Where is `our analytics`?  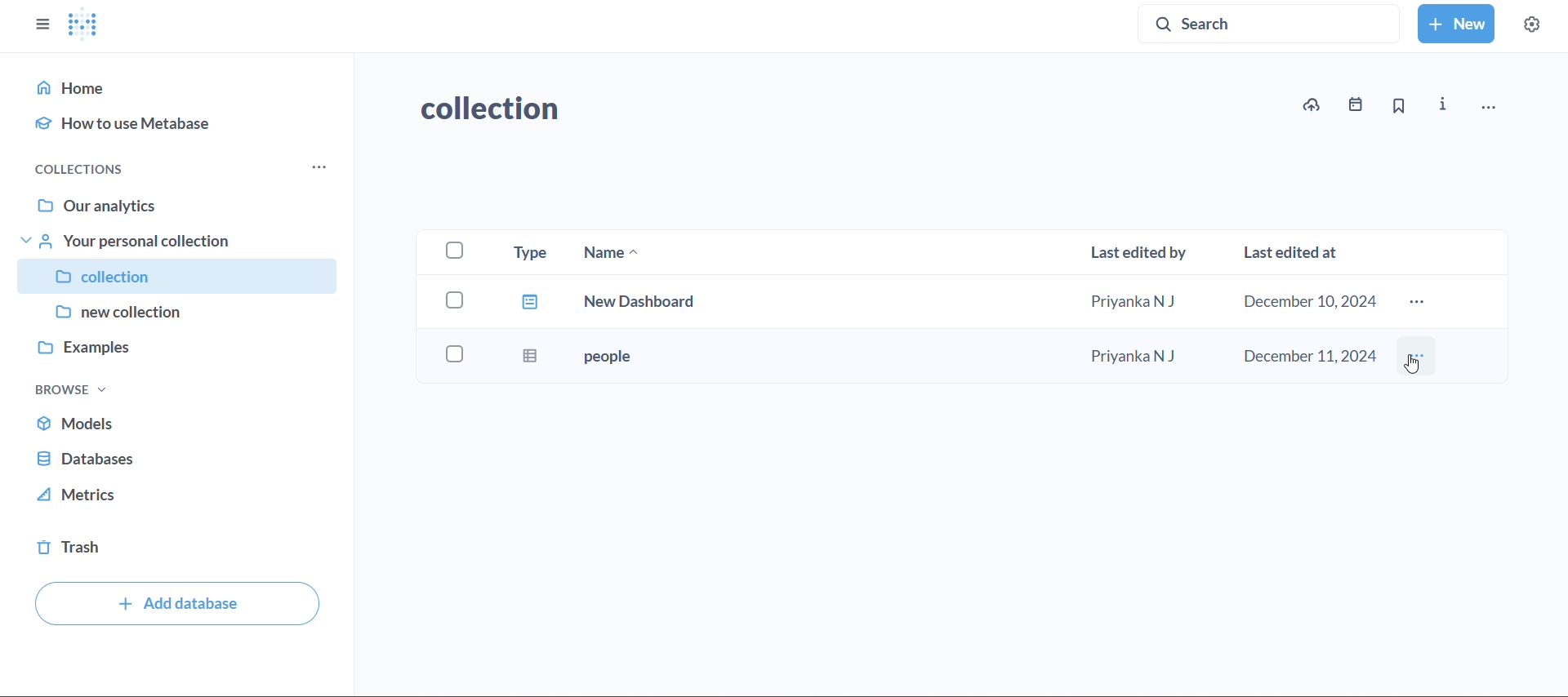
our analytics is located at coordinates (181, 205).